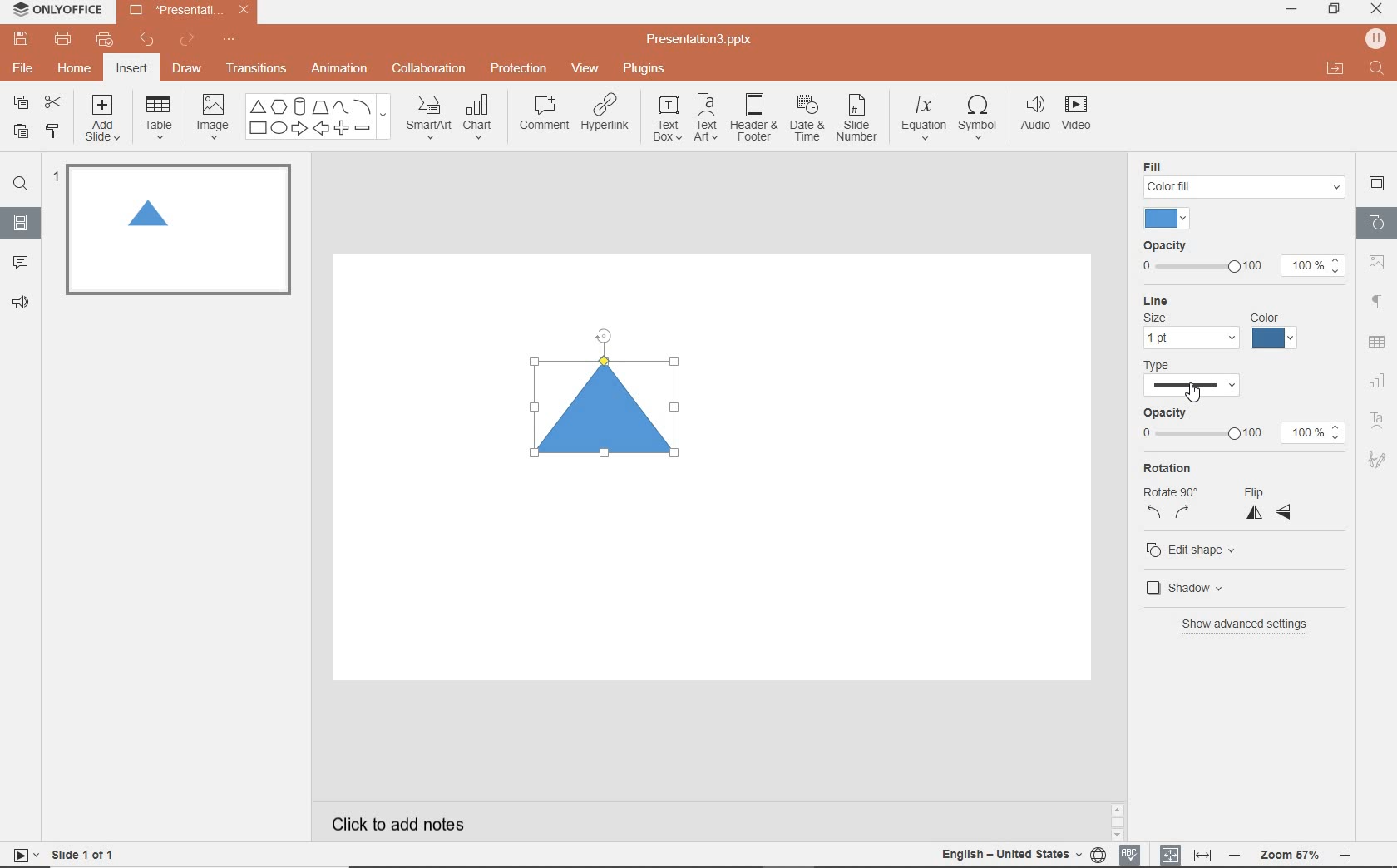  I want to click on FIND, so click(20, 186).